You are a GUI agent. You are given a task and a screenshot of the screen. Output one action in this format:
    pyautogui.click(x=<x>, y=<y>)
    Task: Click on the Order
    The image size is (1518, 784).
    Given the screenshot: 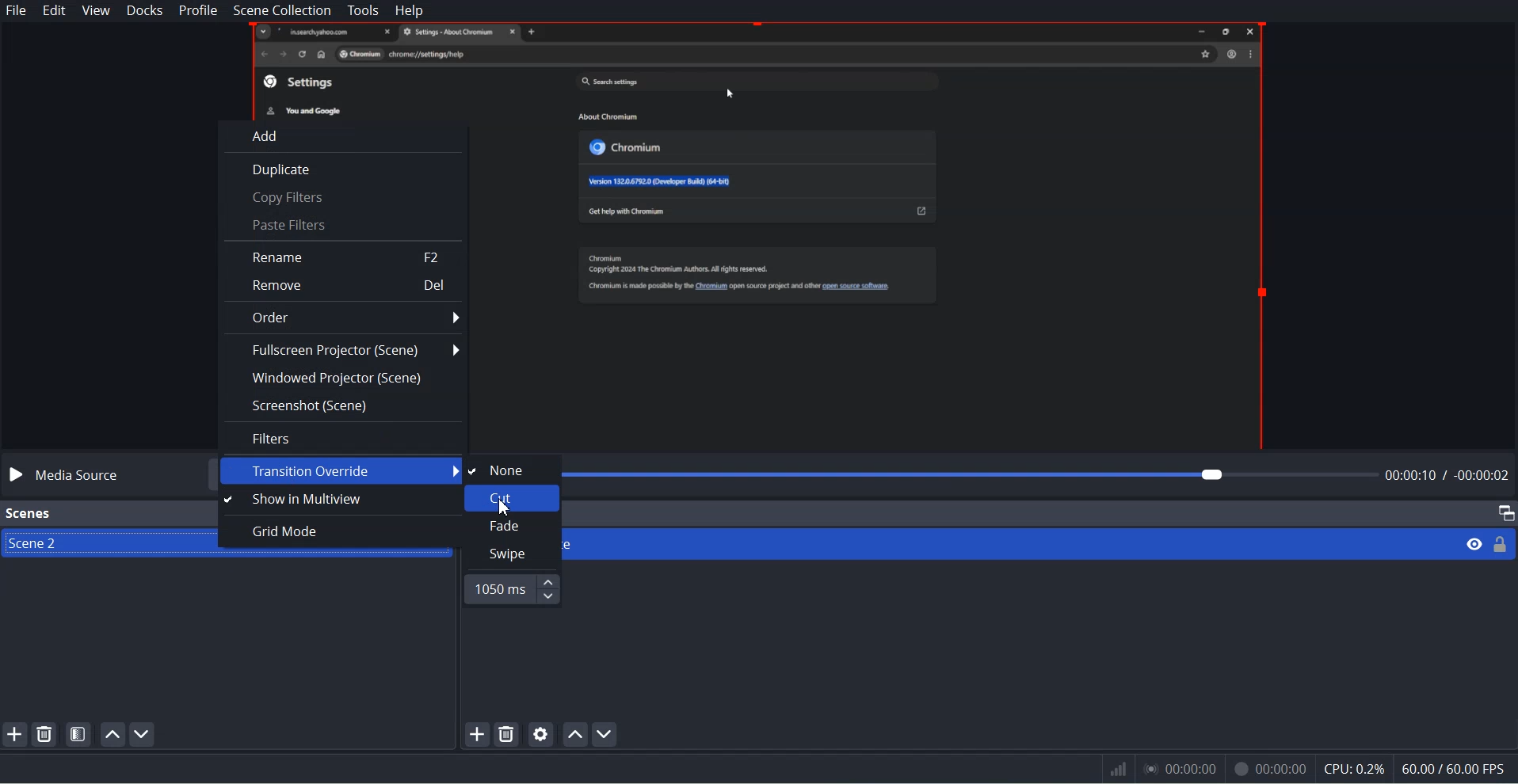 What is the action you would take?
    pyautogui.click(x=345, y=318)
    